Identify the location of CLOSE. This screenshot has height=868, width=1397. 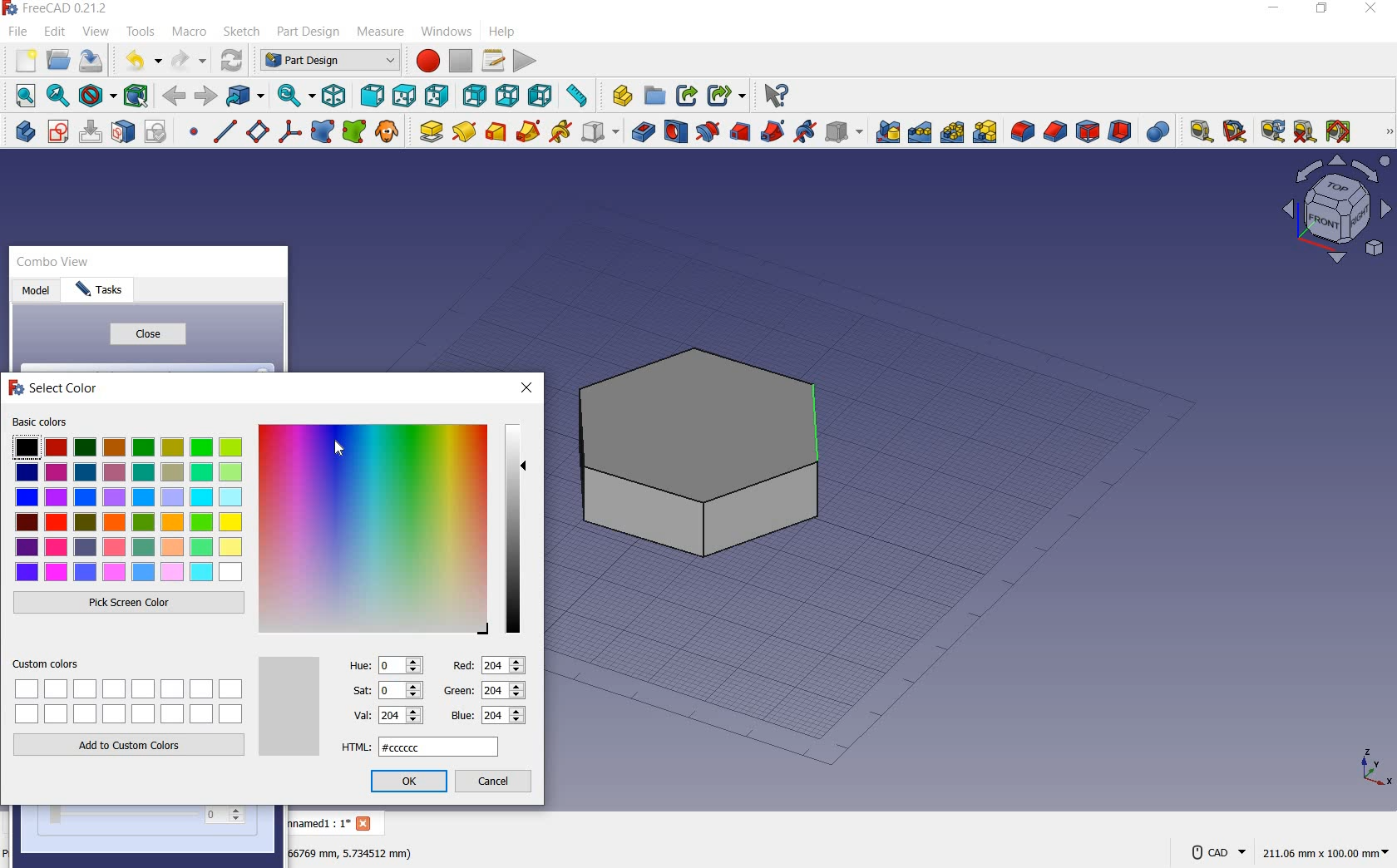
(1373, 8).